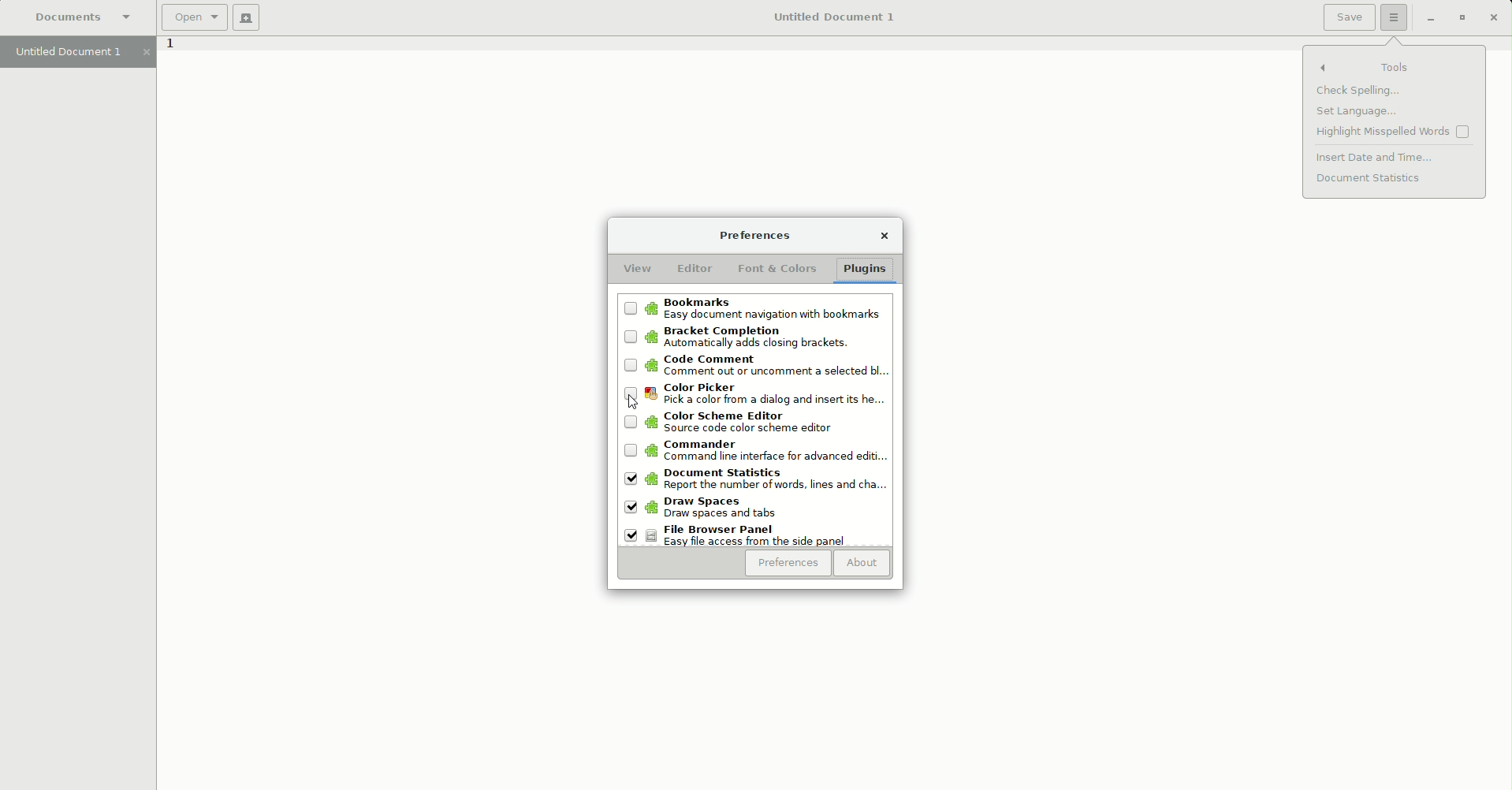 This screenshot has width=1512, height=790. What do you see at coordinates (788, 564) in the screenshot?
I see `Preferences` at bounding box center [788, 564].